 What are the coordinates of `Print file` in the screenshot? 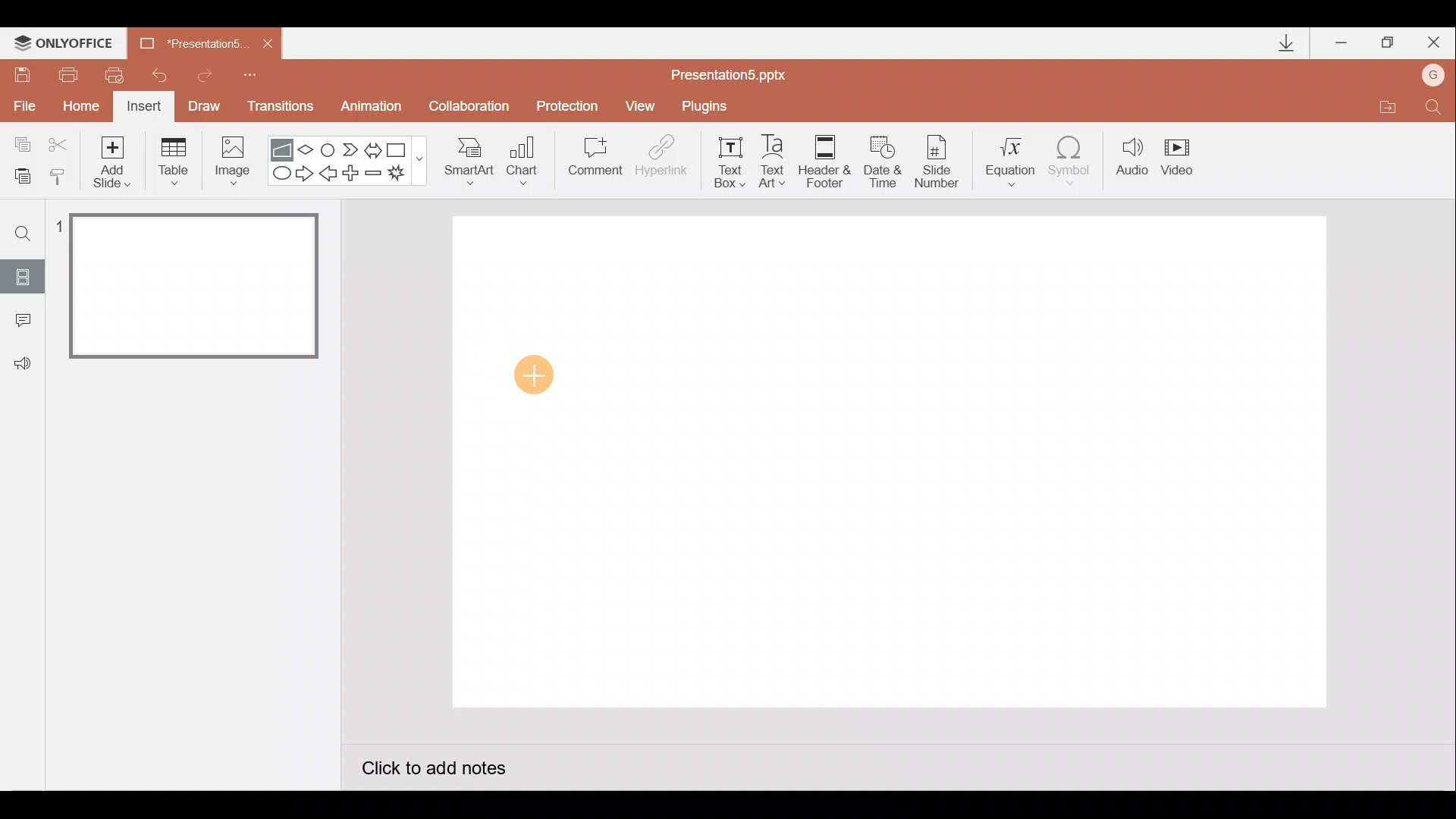 It's located at (65, 74).